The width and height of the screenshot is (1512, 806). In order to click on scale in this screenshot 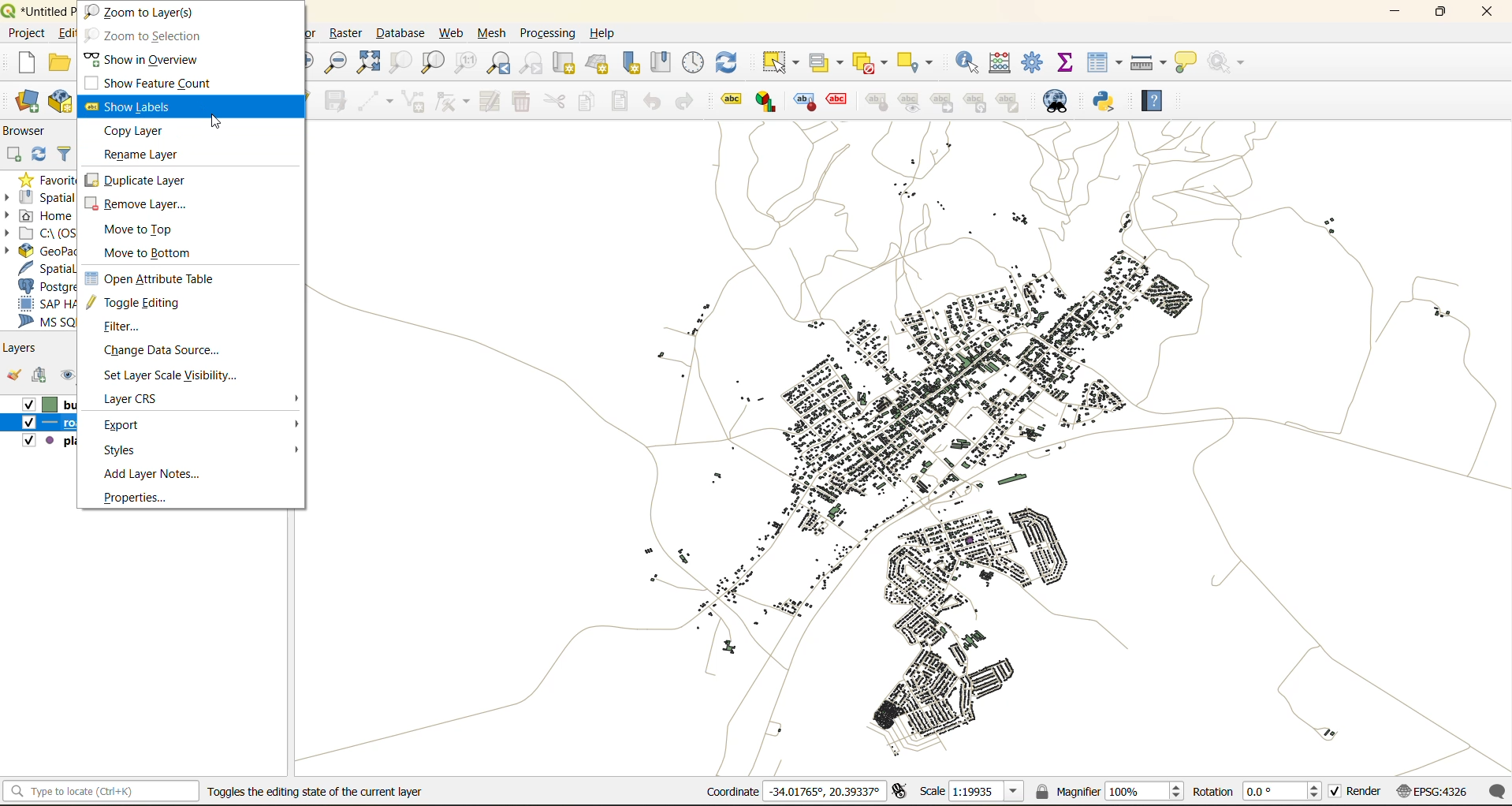, I will do `click(975, 792)`.